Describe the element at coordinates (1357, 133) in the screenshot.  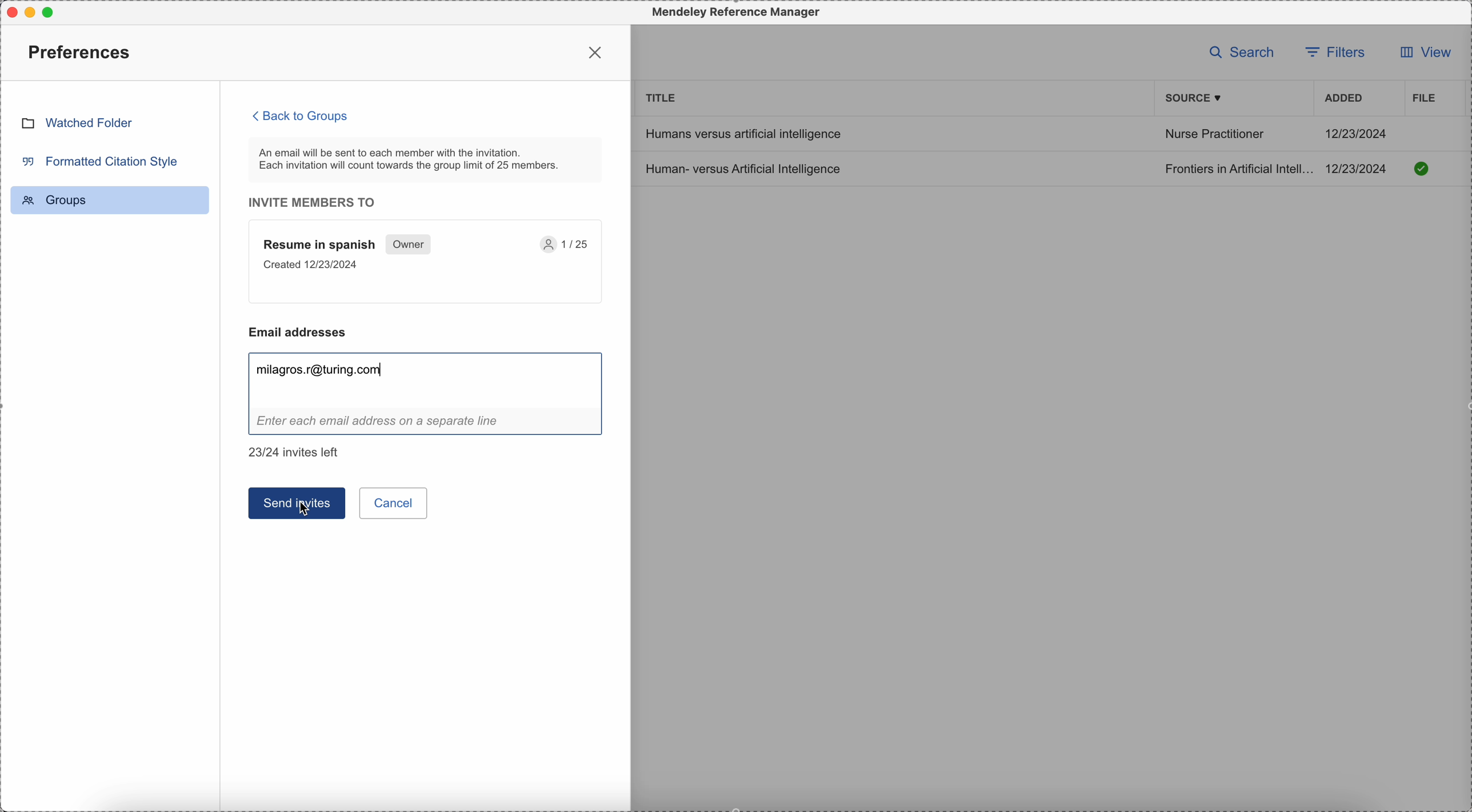
I see `12/23/2024` at that location.